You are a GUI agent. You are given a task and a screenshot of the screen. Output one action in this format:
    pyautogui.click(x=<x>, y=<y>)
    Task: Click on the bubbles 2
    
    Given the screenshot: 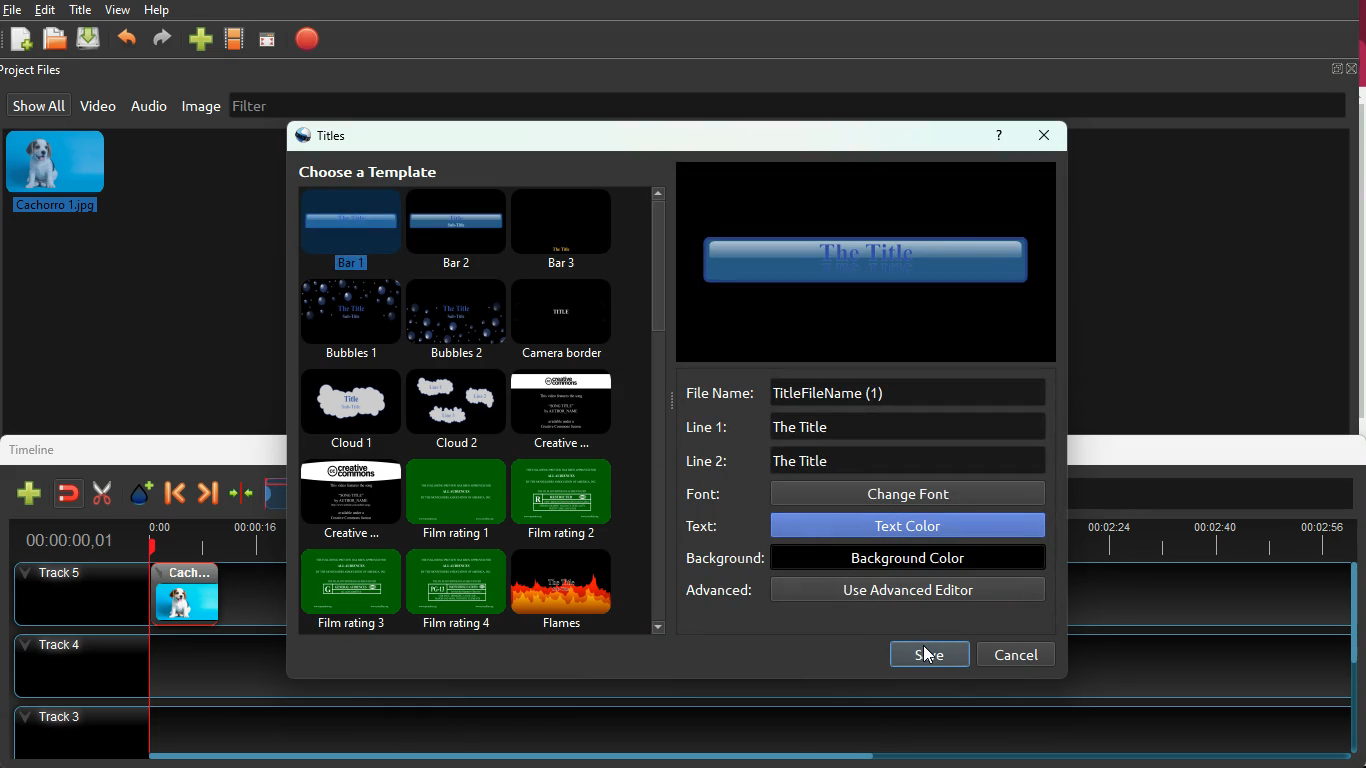 What is the action you would take?
    pyautogui.click(x=455, y=319)
    